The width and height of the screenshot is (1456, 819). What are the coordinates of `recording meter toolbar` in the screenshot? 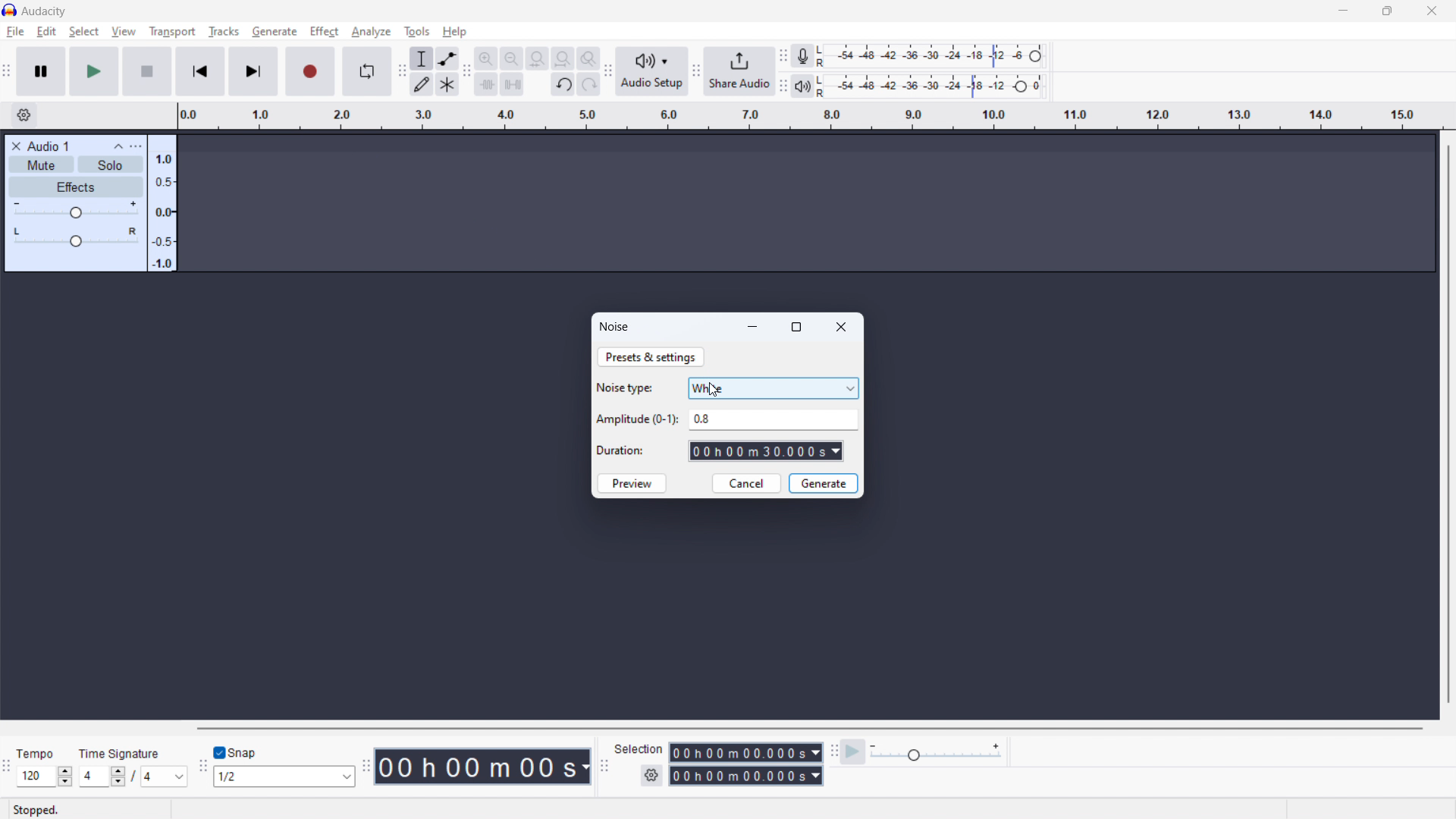 It's located at (783, 56).